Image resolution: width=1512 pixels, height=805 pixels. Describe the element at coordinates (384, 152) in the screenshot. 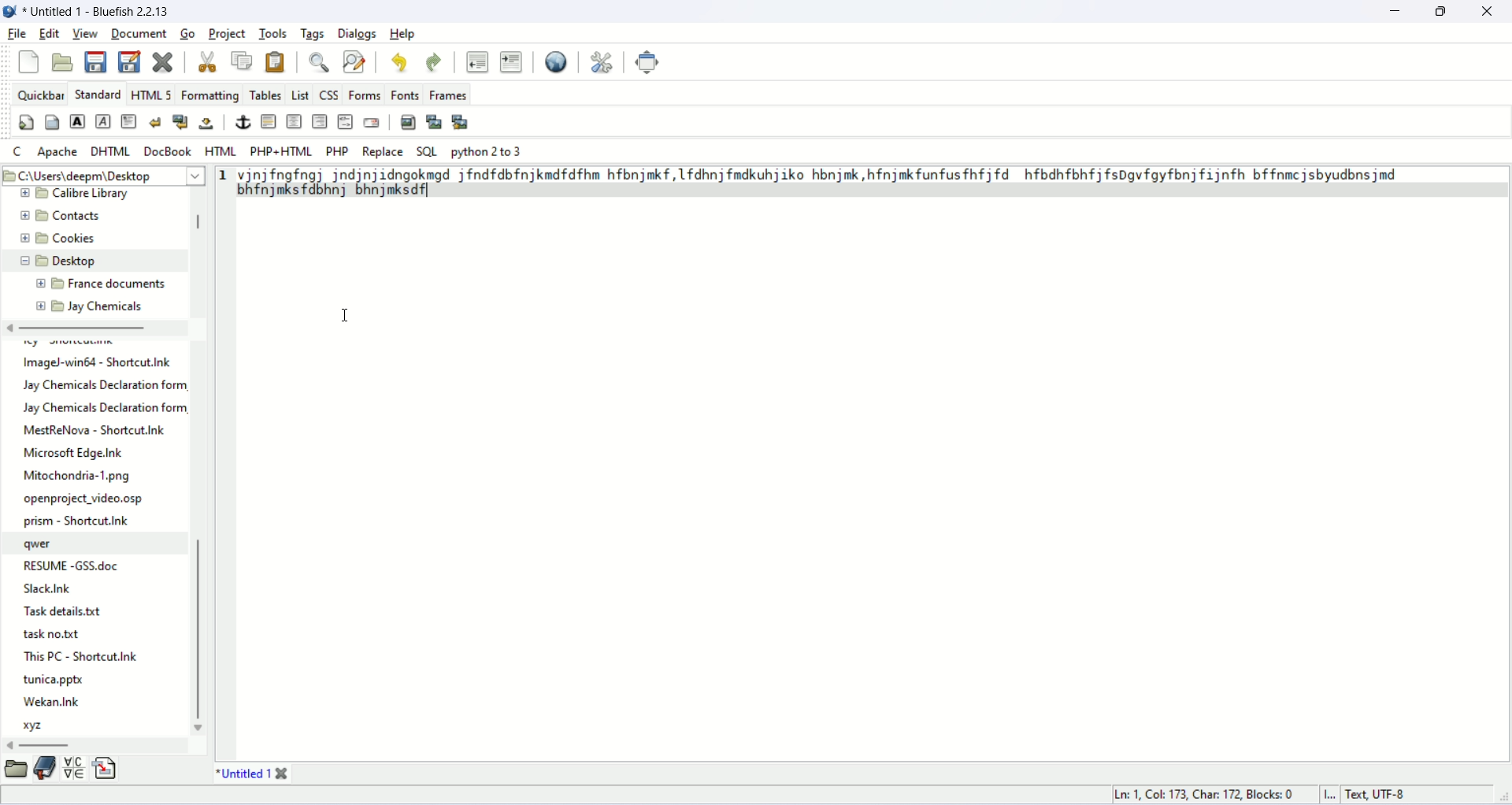

I see `replace` at that location.